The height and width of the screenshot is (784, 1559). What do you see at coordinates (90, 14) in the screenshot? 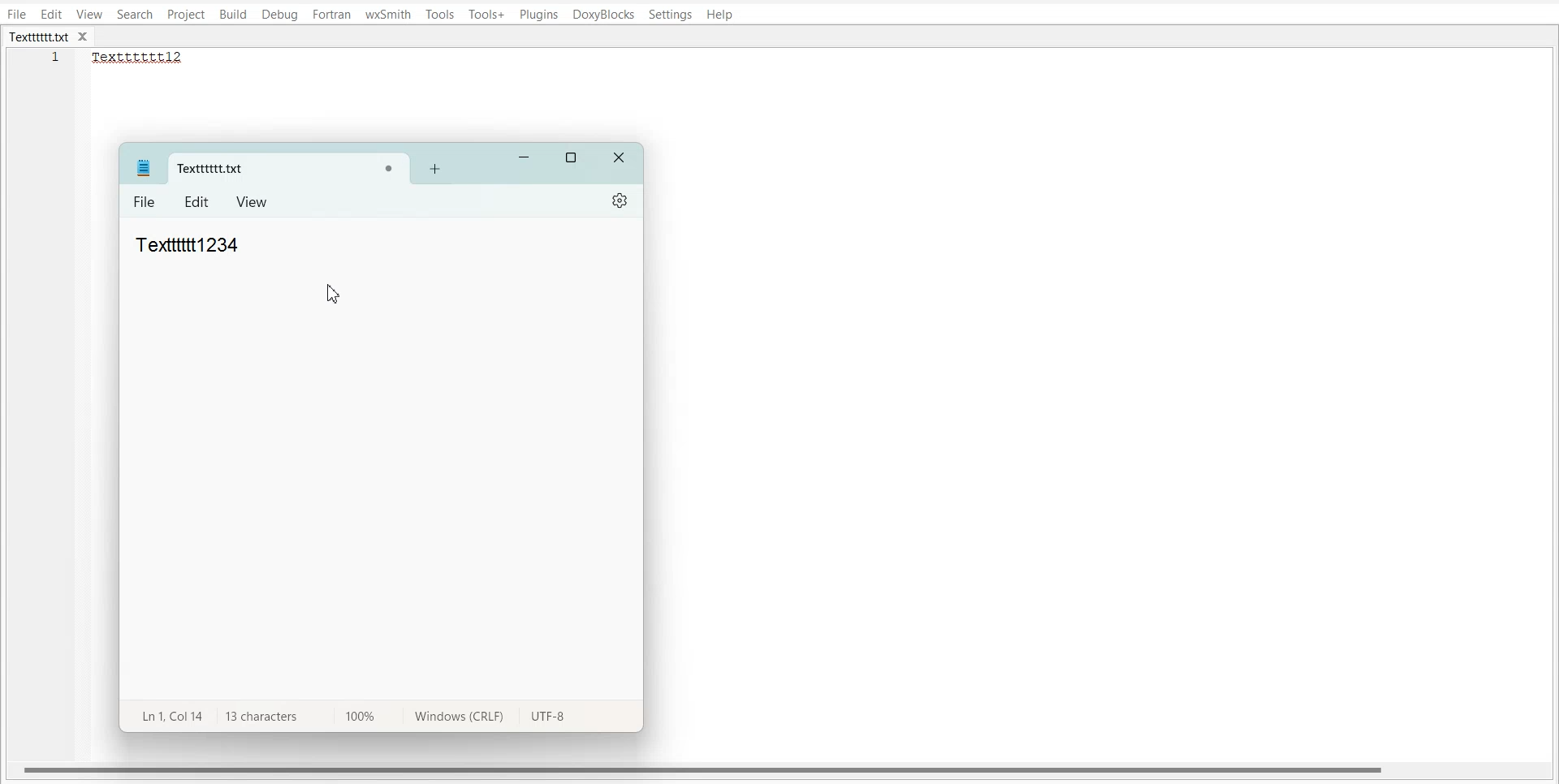
I see `View` at bounding box center [90, 14].